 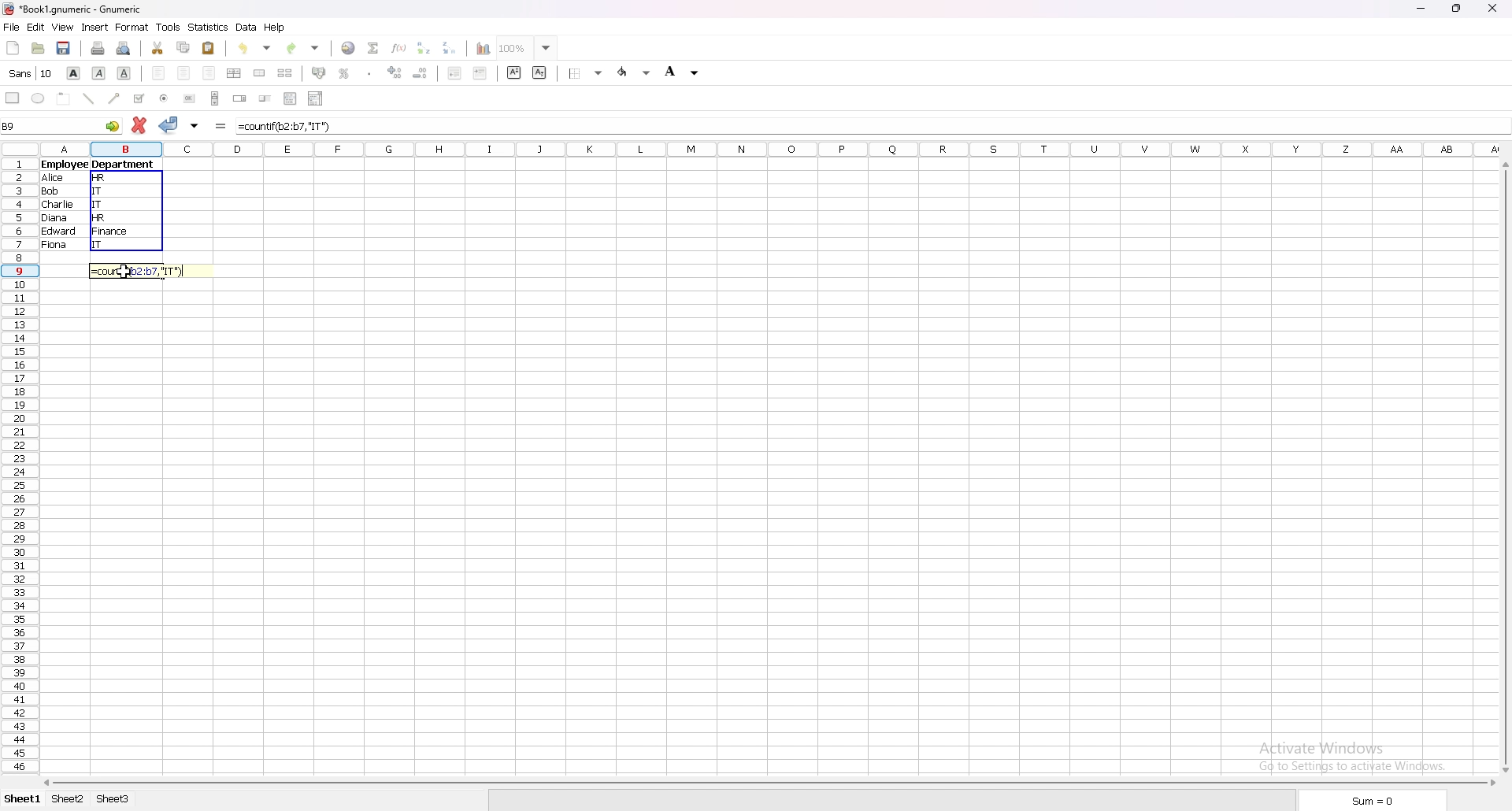 What do you see at coordinates (12, 27) in the screenshot?
I see `file` at bounding box center [12, 27].